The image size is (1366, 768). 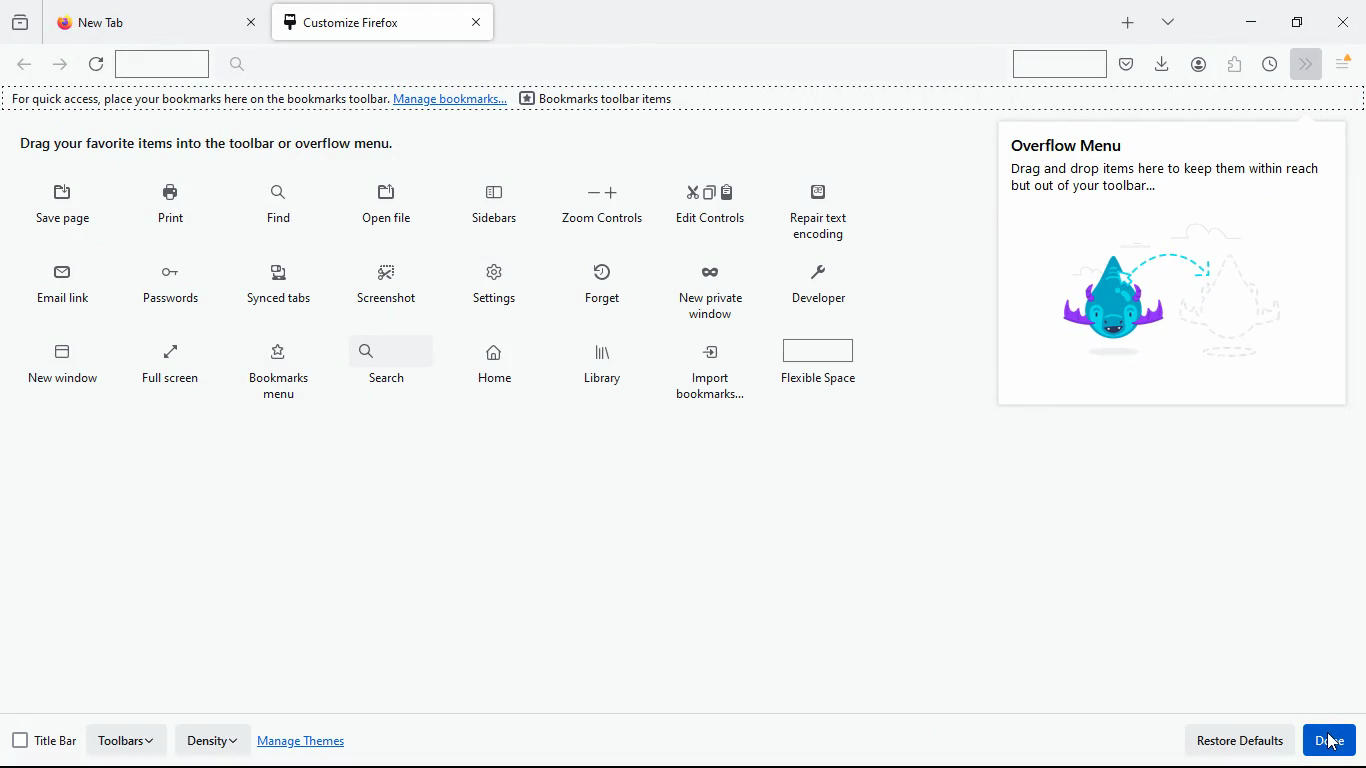 What do you see at coordinates (713, 208) in the screenshot?
I see `zoom controls` at bounding box center [713, 208].